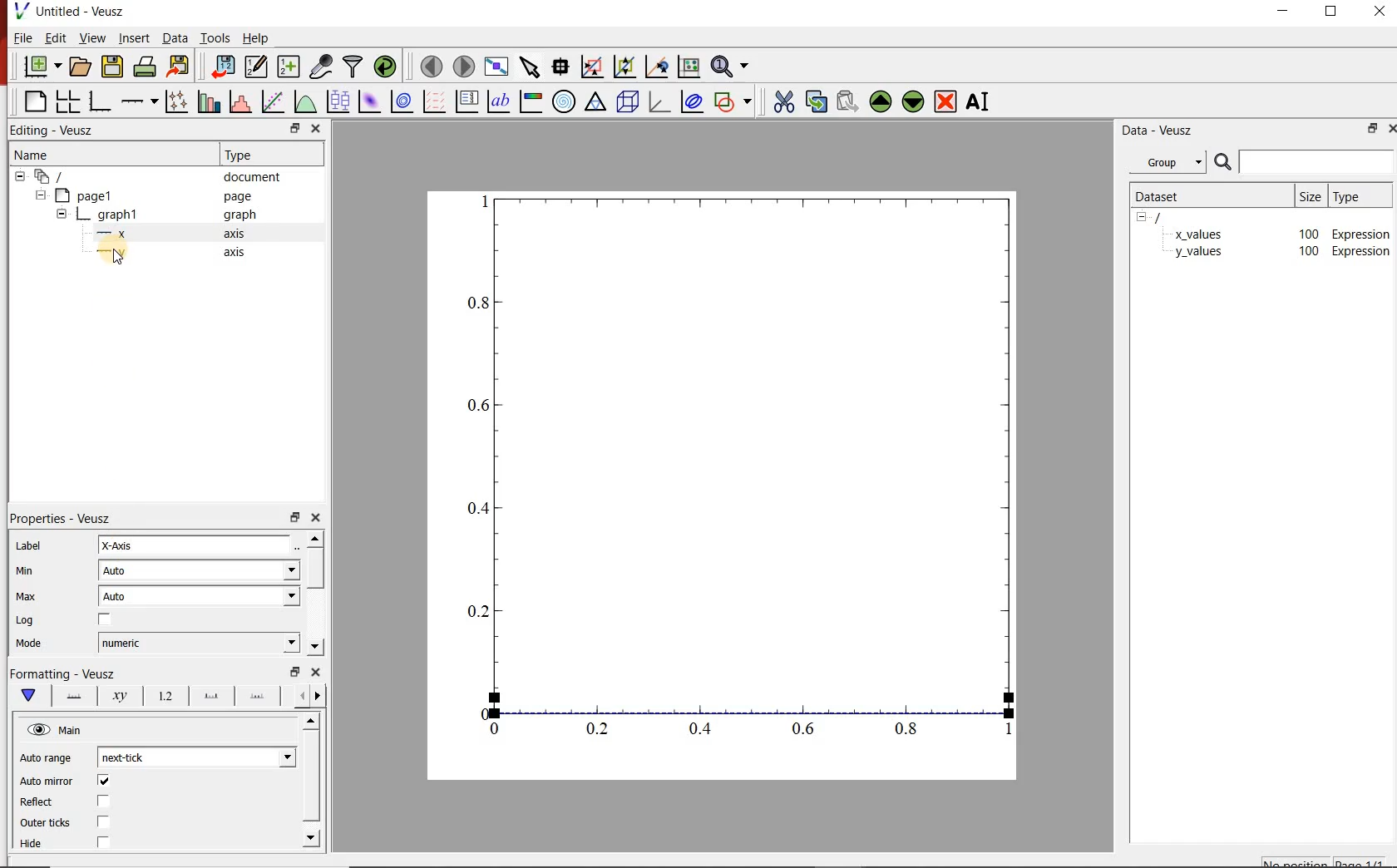 This screenshot has height=868, width=1397. What do you see at coordinates (180, 66) in the screenshot?
I see `export to graphics format` at bounding box center [180, 66].